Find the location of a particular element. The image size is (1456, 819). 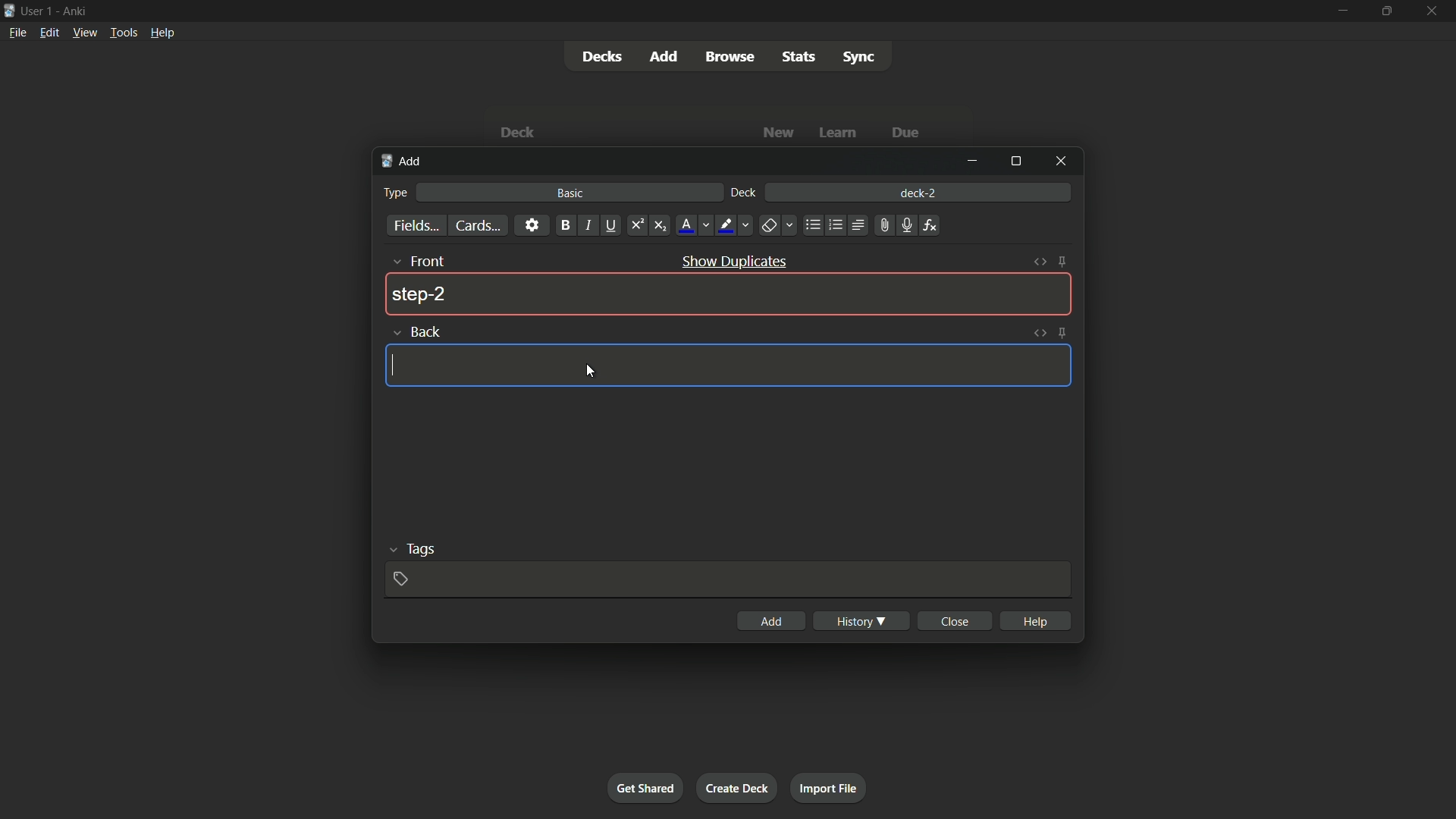

deck-2 is located at coordinates (918, 191).